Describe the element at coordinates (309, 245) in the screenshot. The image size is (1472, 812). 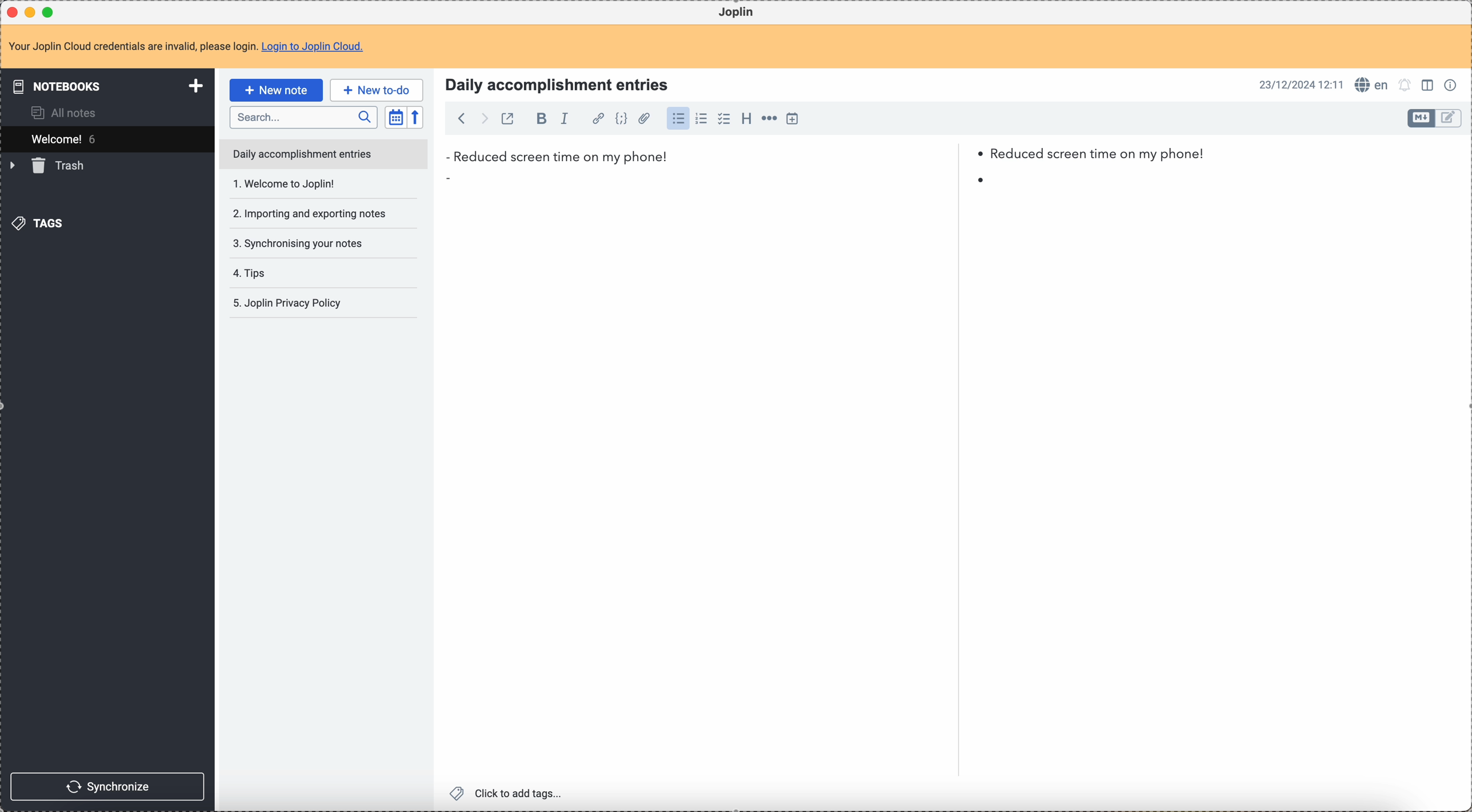
I see `tips` at that location.